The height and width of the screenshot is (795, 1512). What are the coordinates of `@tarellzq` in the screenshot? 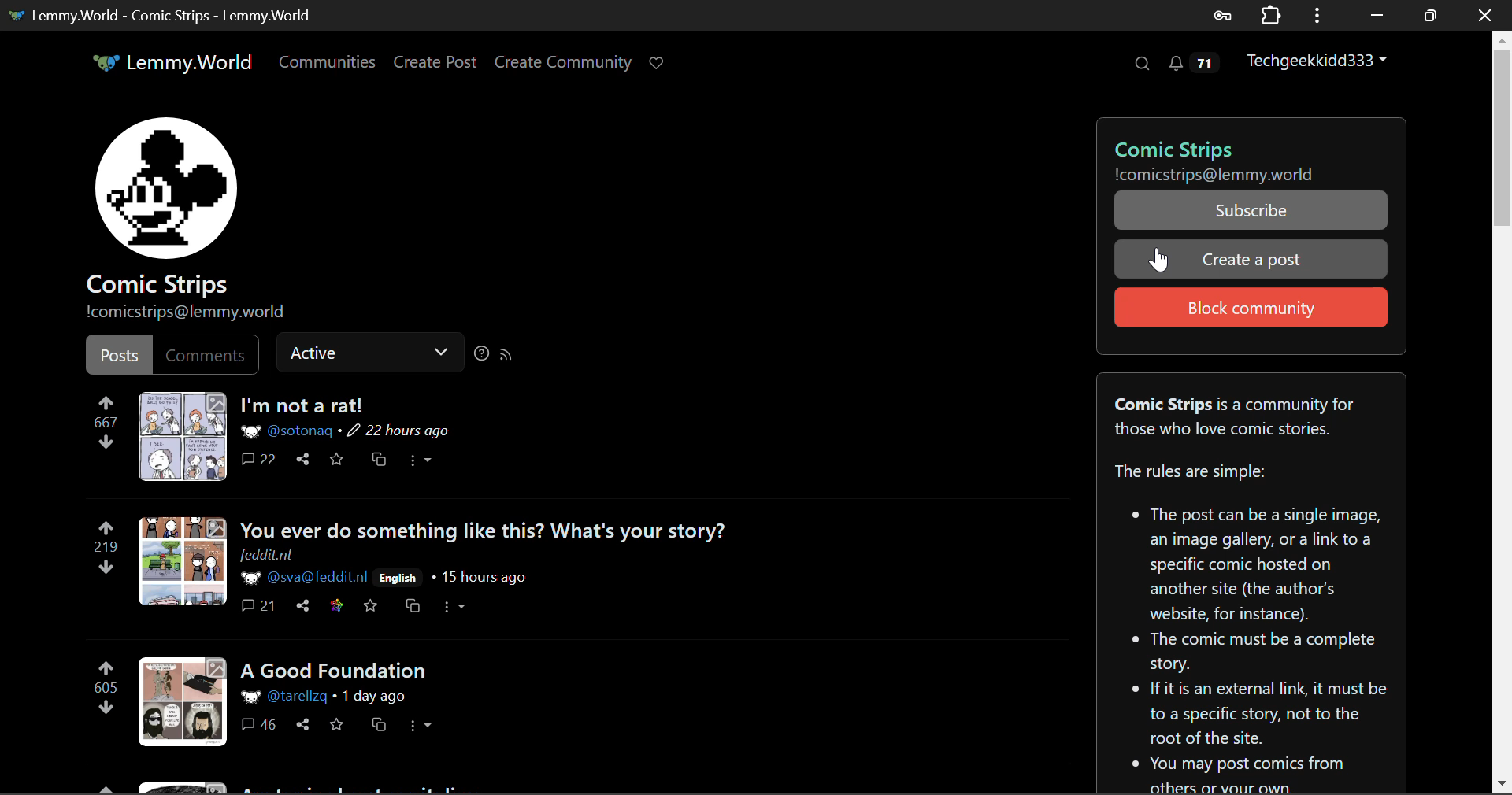 It's located at (287, 696).